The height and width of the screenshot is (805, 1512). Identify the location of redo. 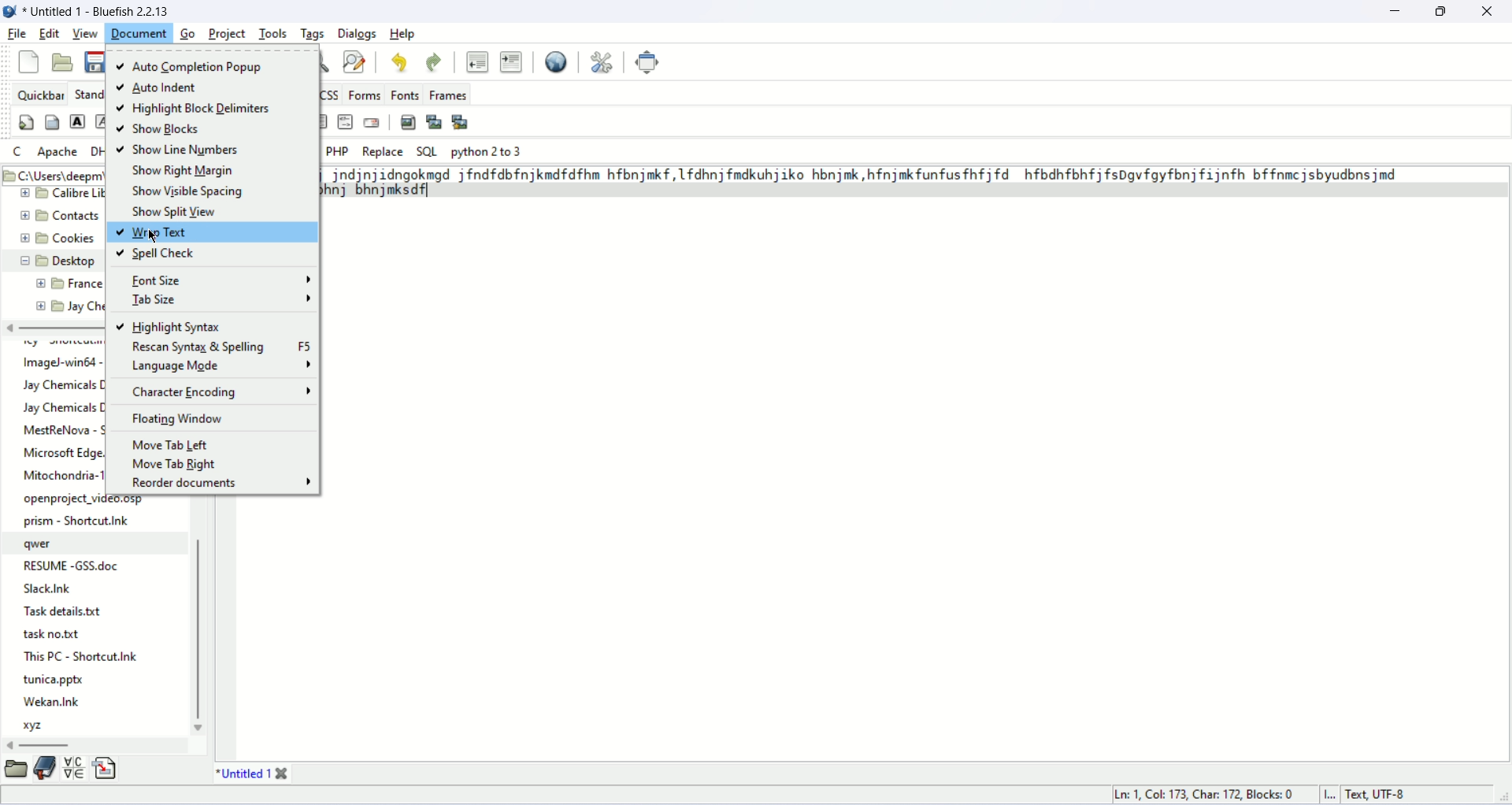
(434, 60).